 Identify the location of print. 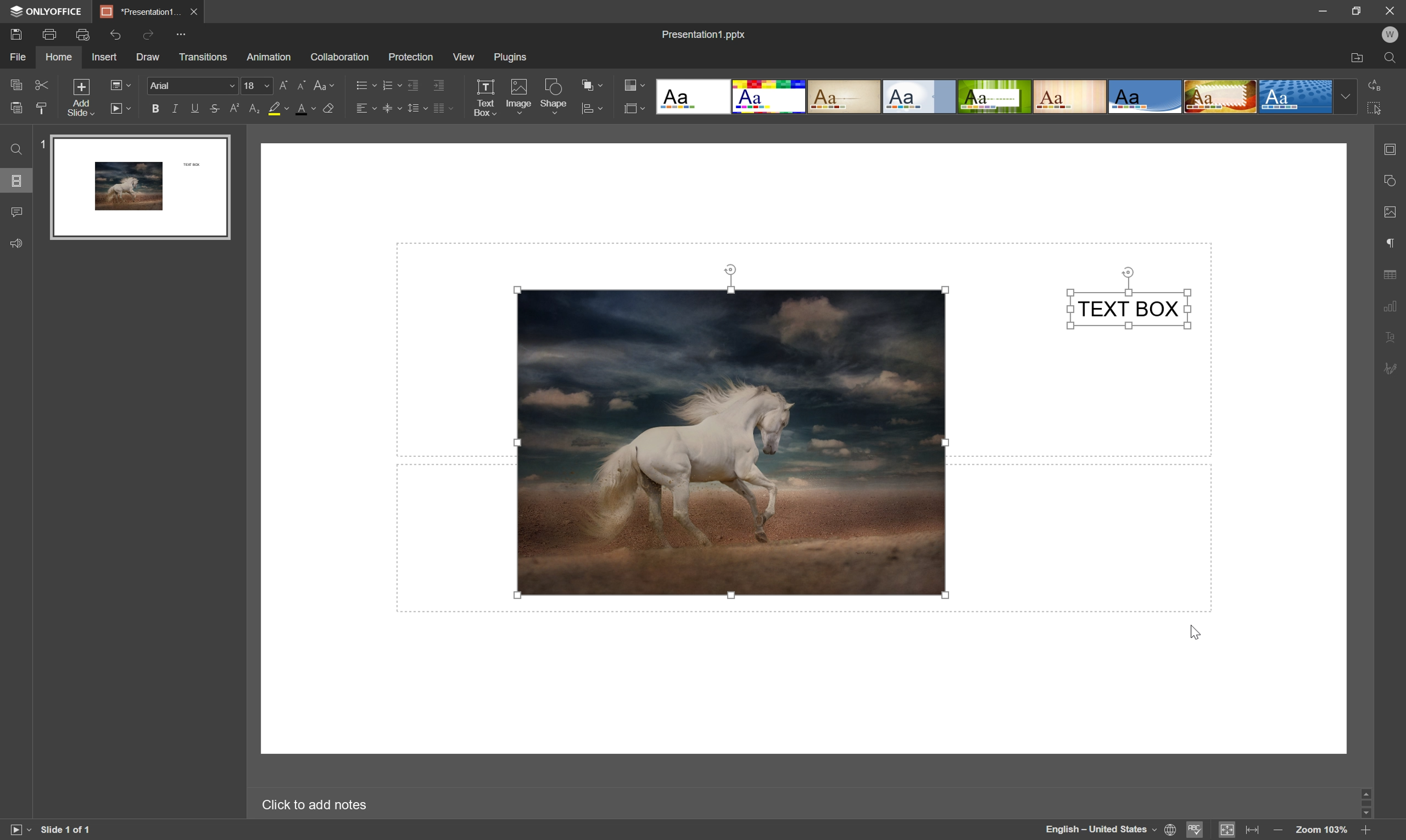
(50, 33).